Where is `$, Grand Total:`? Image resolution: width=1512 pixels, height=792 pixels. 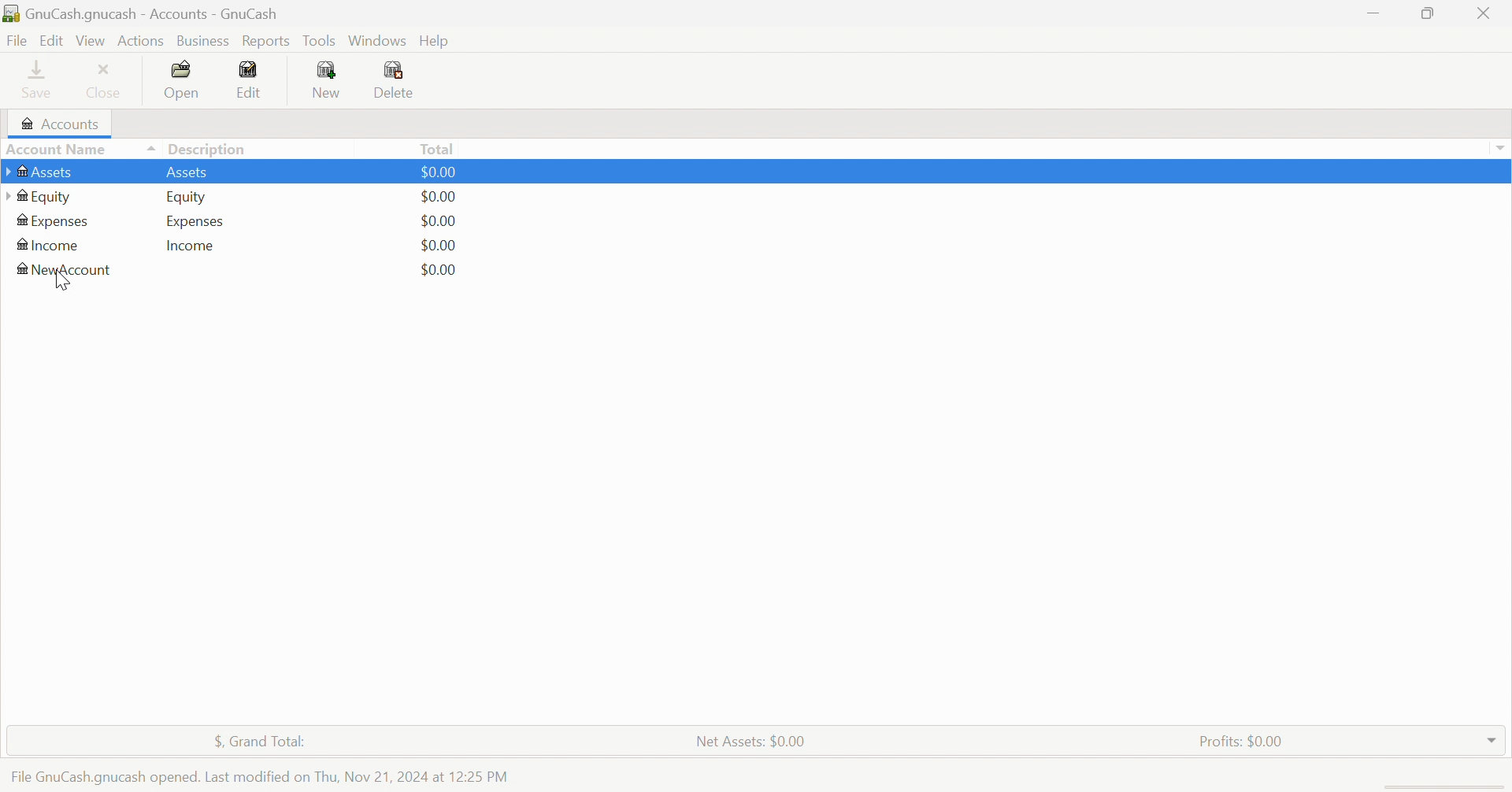 $, Grand Total: is located at coordinates (258, 741).